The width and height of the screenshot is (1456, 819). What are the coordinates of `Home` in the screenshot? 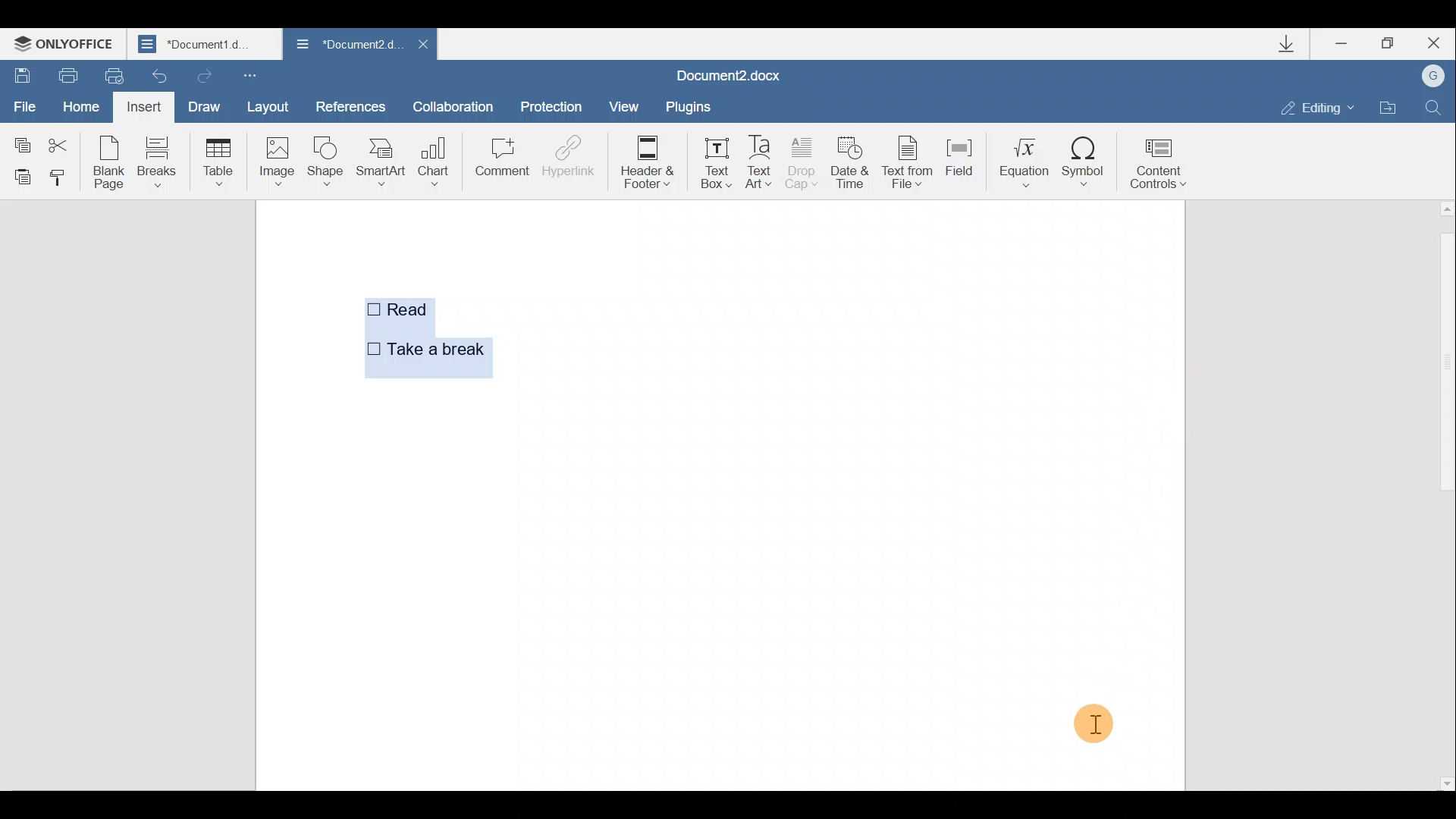 It's located at (78, 103).